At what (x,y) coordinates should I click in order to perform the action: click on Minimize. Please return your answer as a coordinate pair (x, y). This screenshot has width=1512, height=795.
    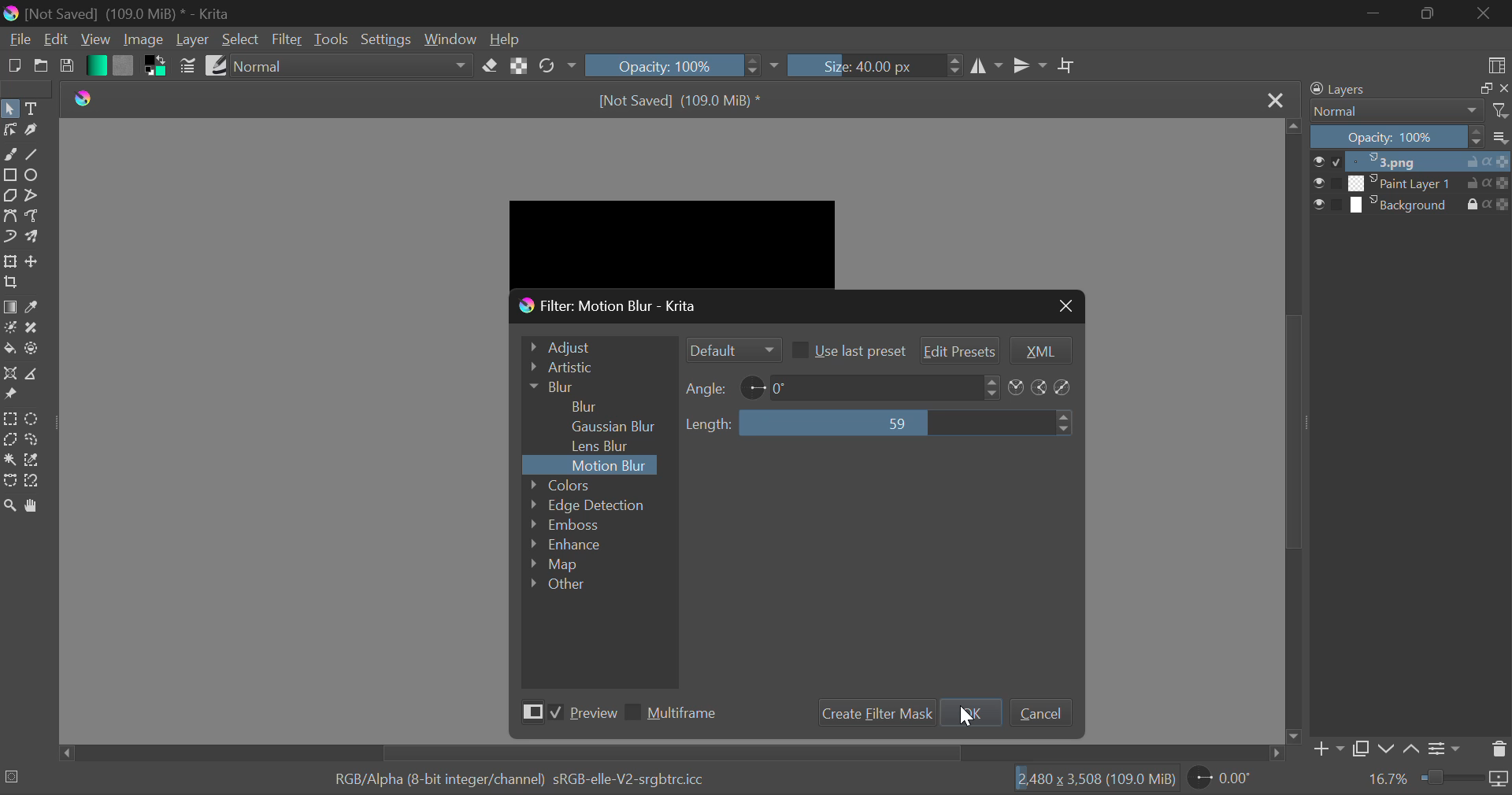
    Looking at the image, I should click on (1427, 13).